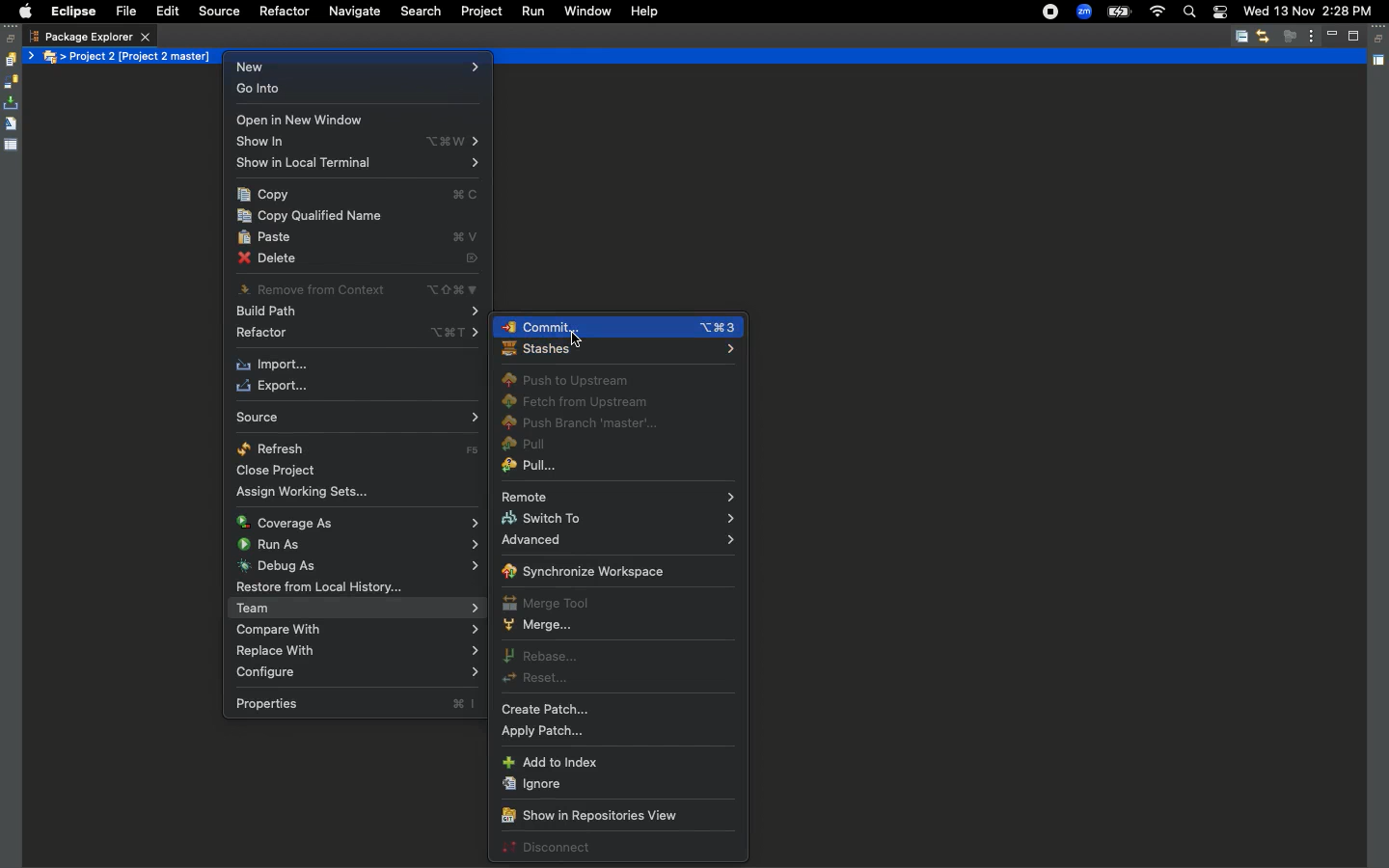 This screenshot has height=868, width=1389. Describe the element at coordinates (364, 290) in the screenshot. I see `Remove from context` at that location.